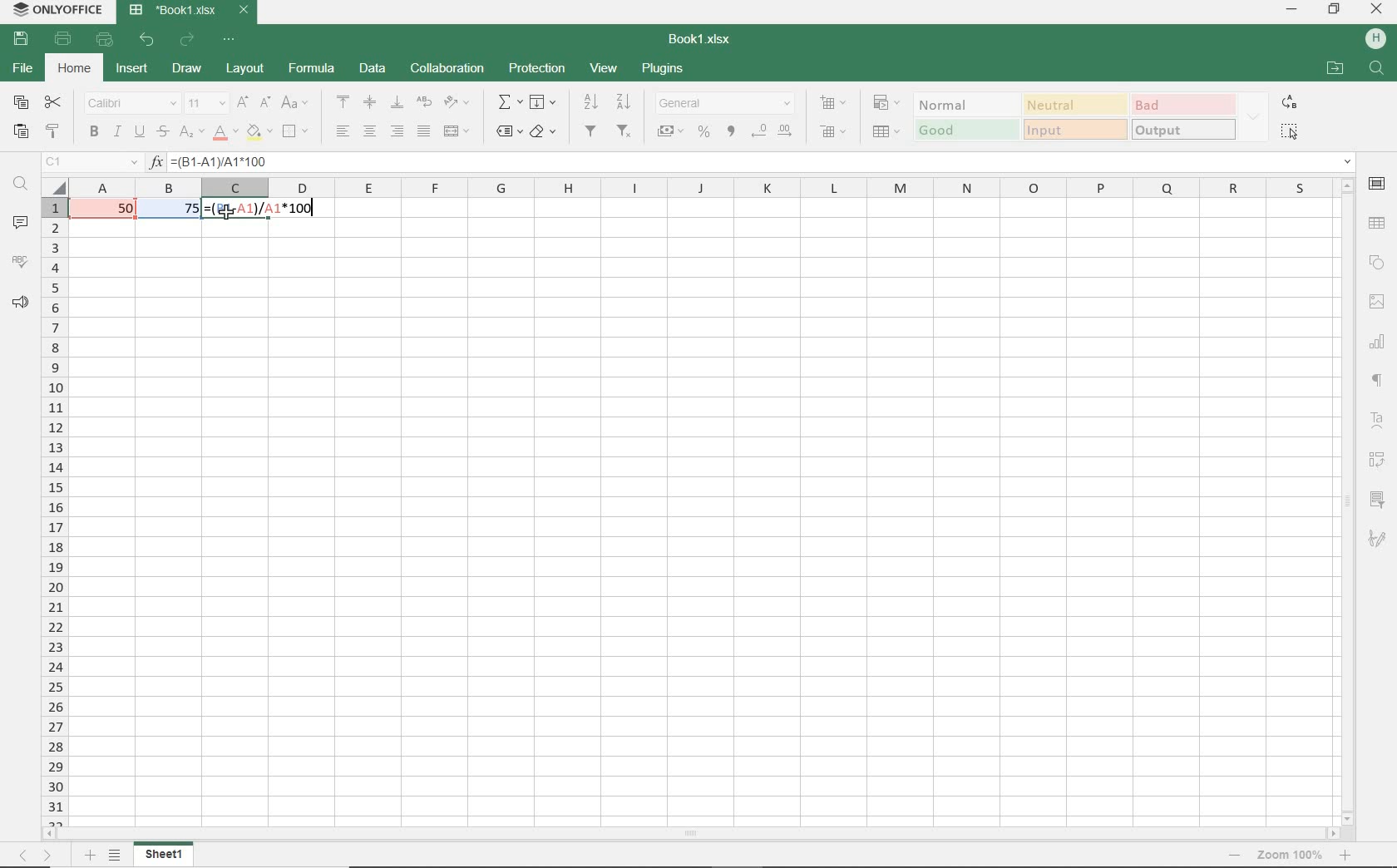 The height and width of the screenshot is (868, 1397). I want to click on align bottom, so click(394, 101).